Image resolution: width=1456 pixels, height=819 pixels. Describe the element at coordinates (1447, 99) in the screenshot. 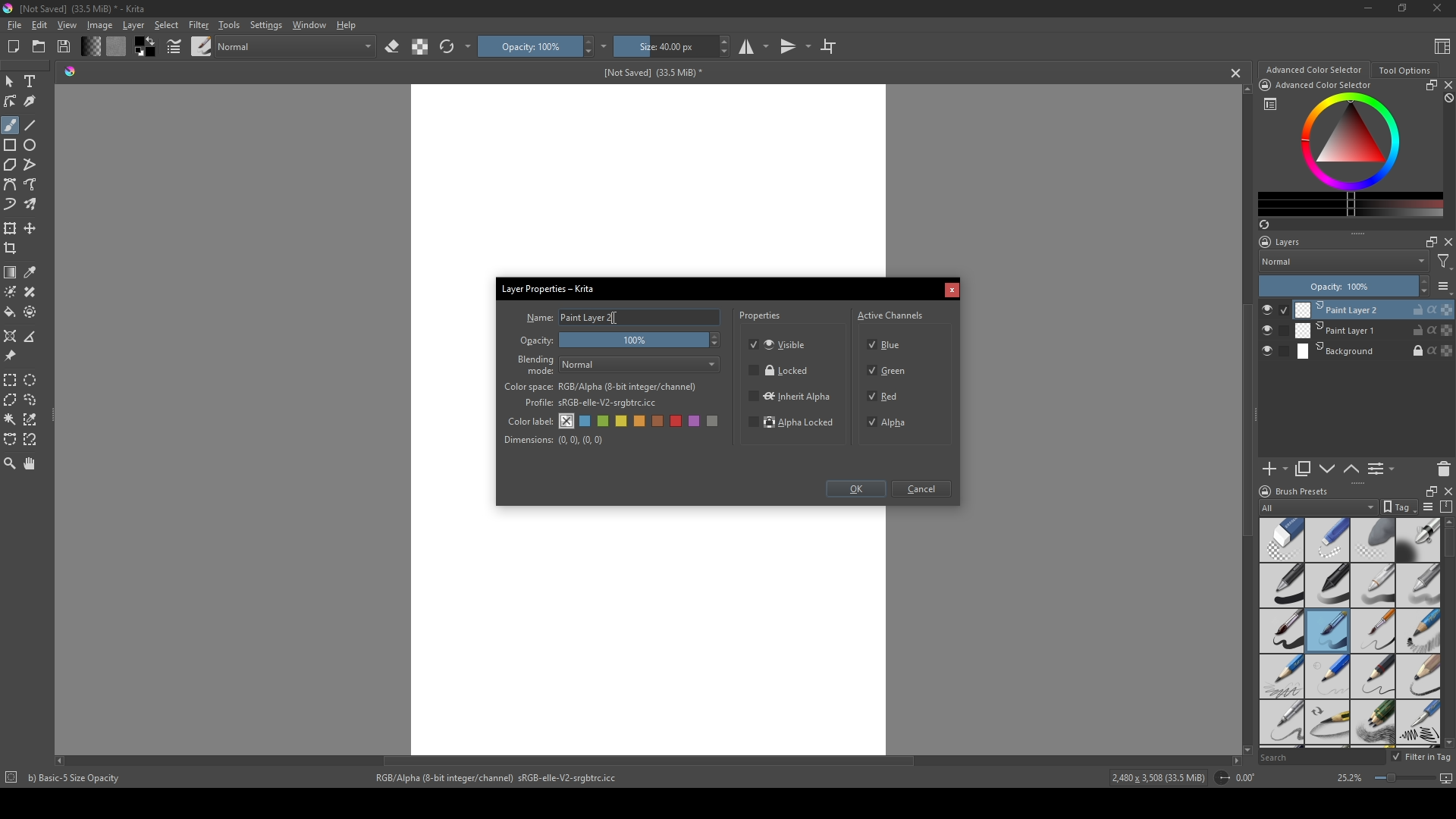

I see `block` at that location.